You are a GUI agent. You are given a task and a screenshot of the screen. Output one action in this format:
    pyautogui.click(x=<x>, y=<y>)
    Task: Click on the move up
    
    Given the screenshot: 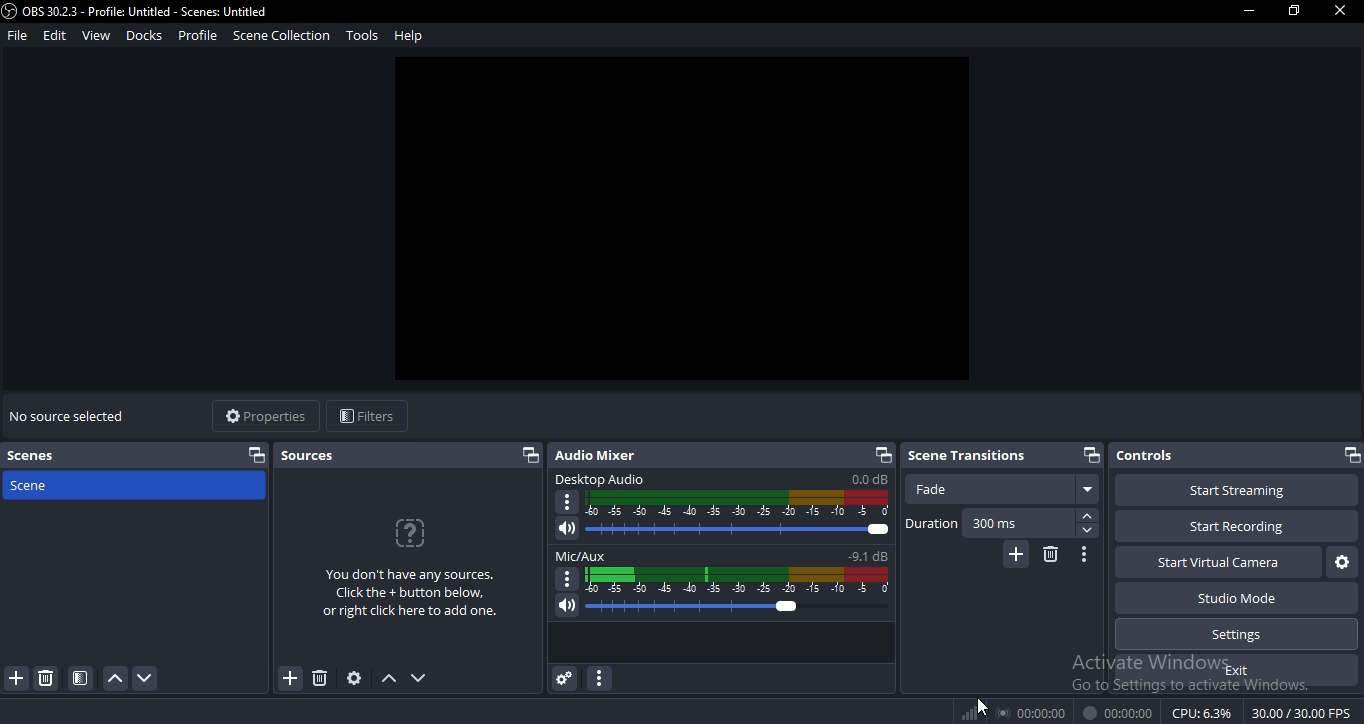 What is the action you would take?
    pyautogui.click(x=389, y=679)
    